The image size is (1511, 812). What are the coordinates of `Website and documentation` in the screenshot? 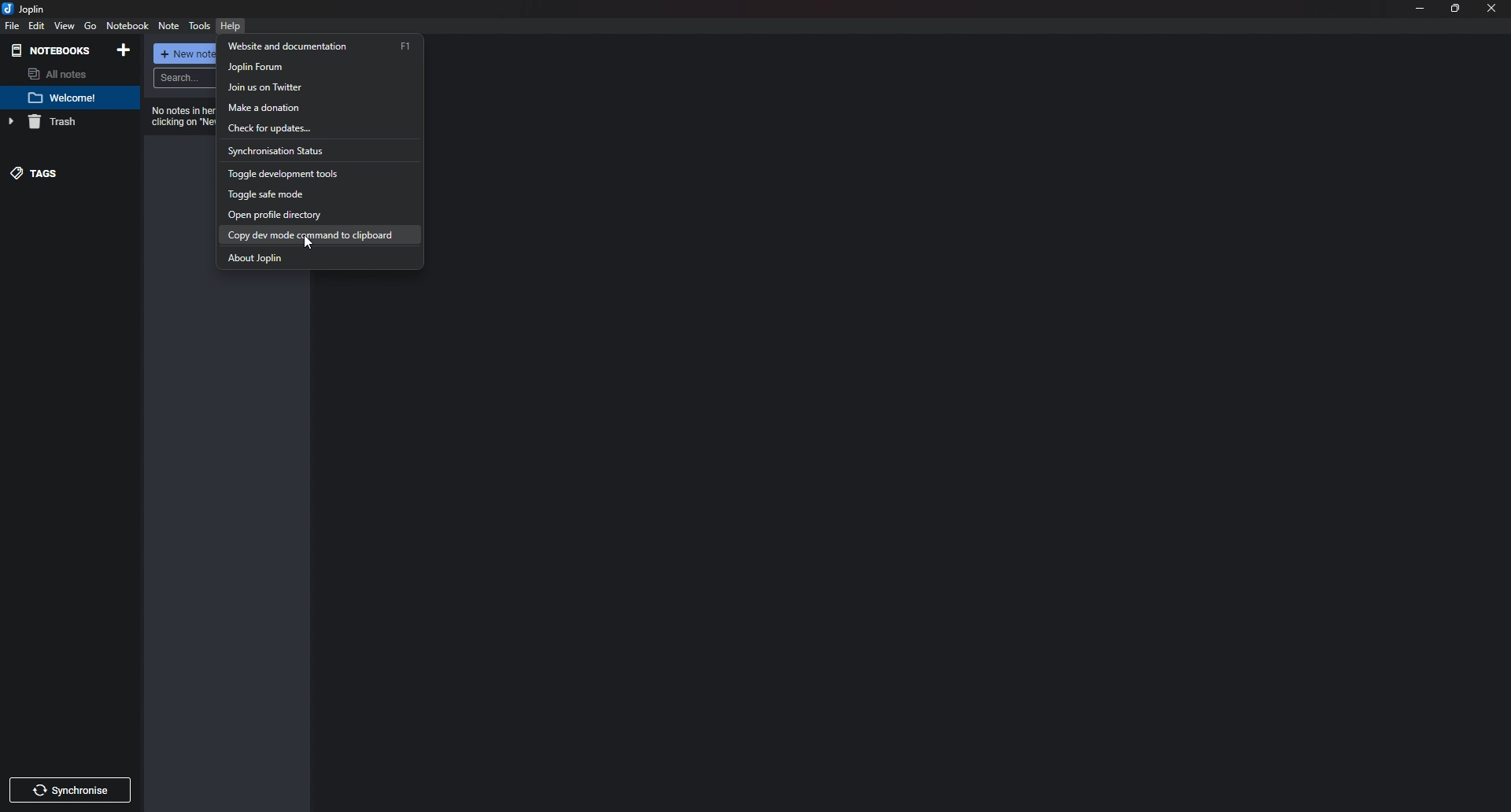 It's located at (320, 46).